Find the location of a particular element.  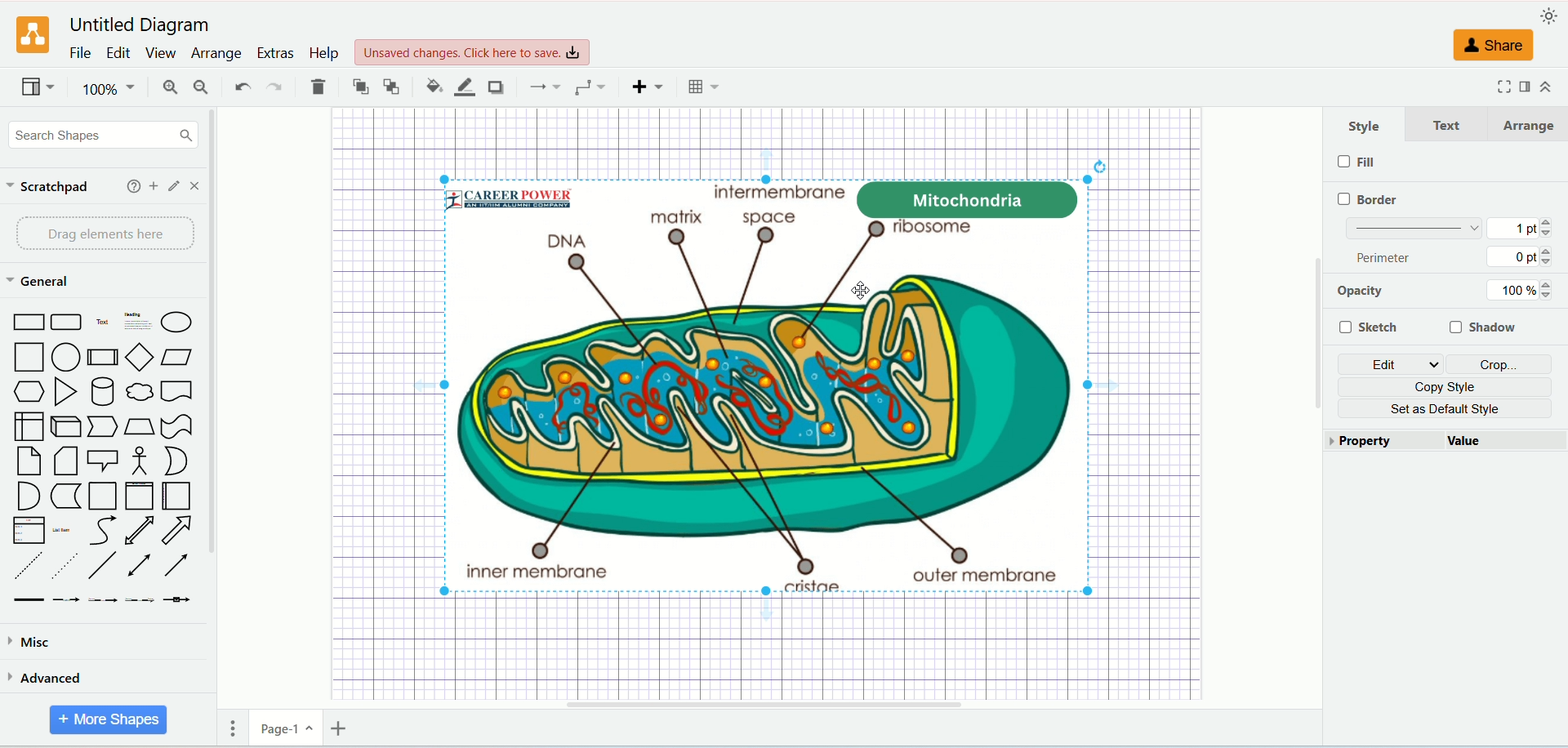

Process is located at coordinates (103, 358).